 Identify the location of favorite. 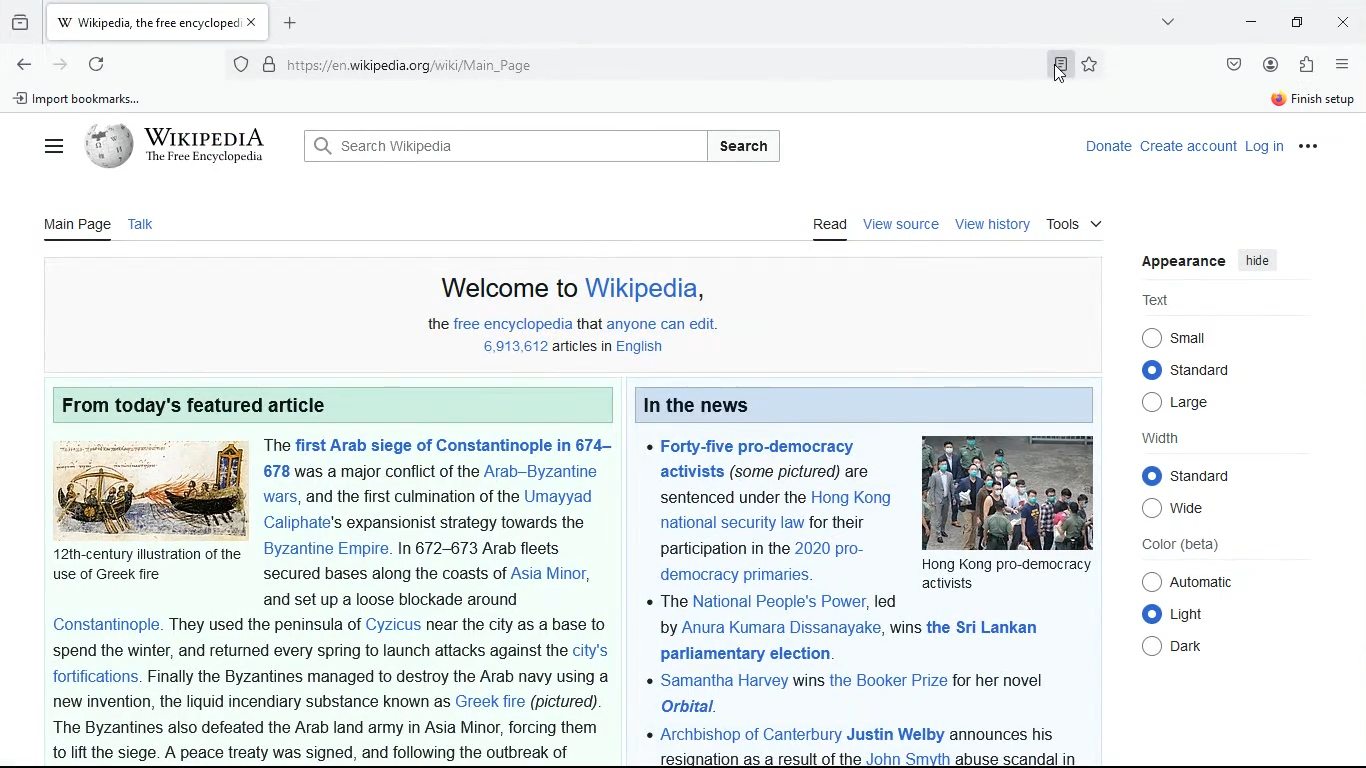
(1091, 64).